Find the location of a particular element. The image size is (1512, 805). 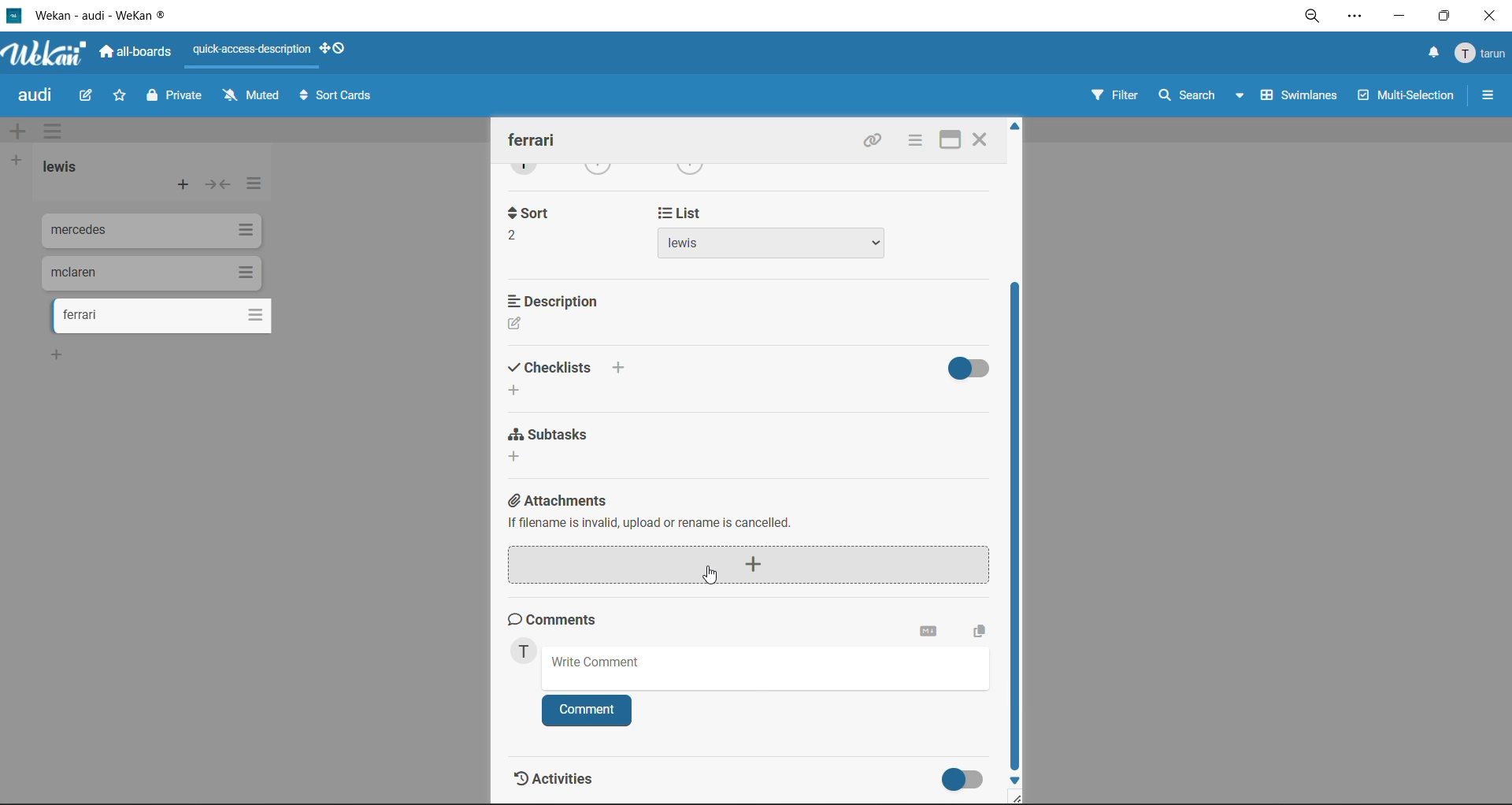

muted is located at coordinates (248, 97).